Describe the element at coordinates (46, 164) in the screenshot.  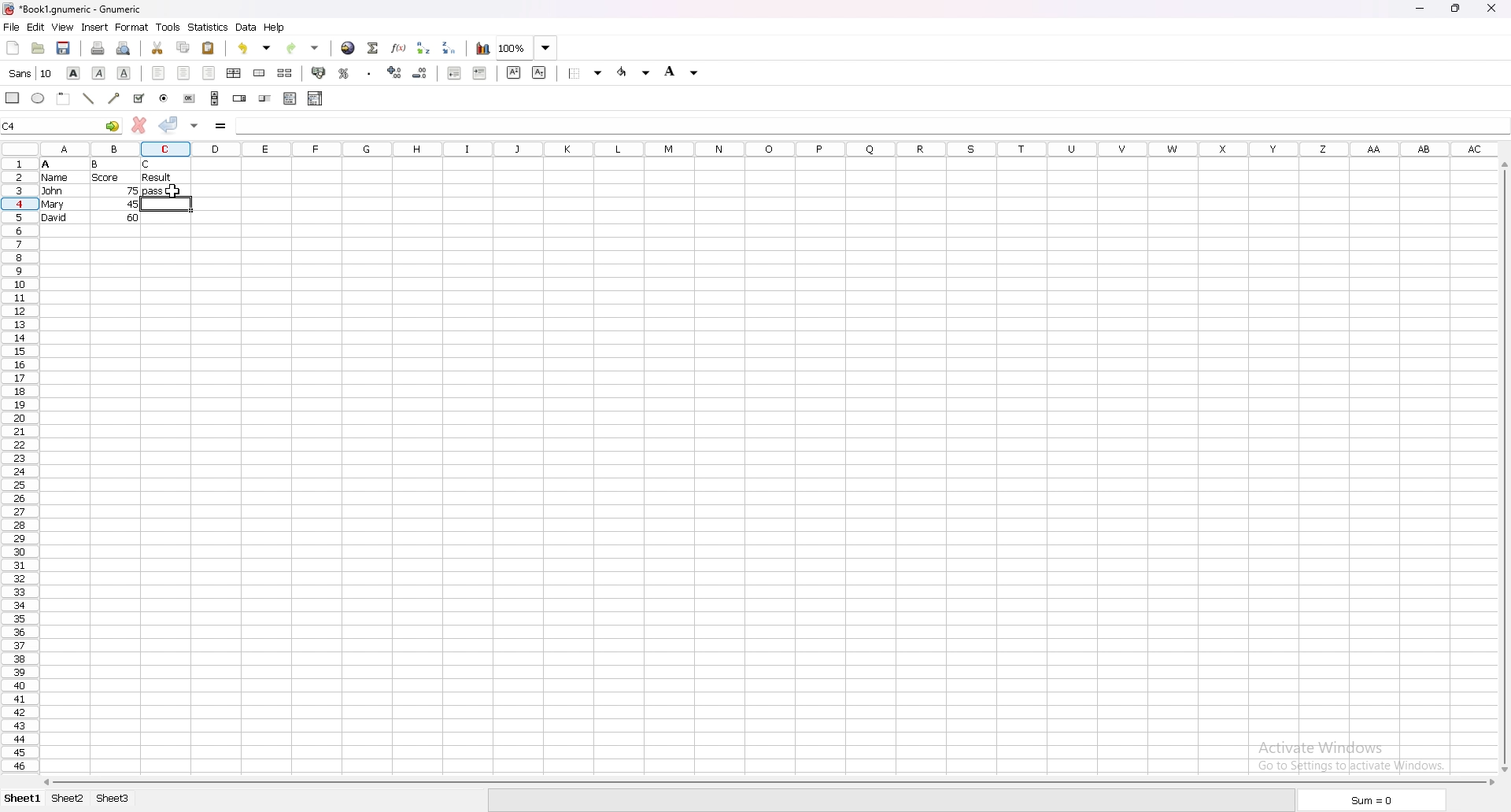
I see `a` at that location.